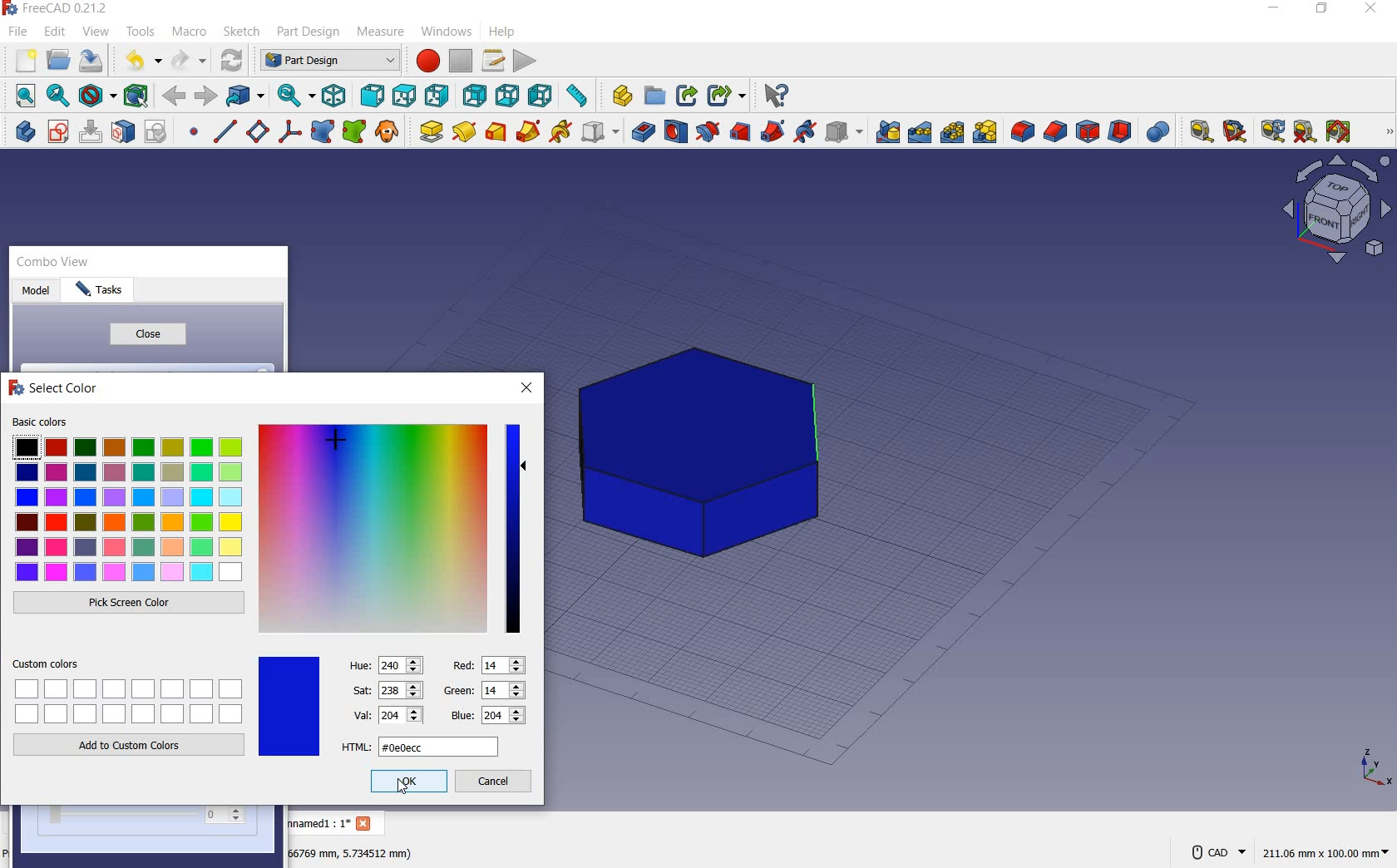  Describe the element at coordinates (475, 96) in the screenshot. I see `rear` at that location.